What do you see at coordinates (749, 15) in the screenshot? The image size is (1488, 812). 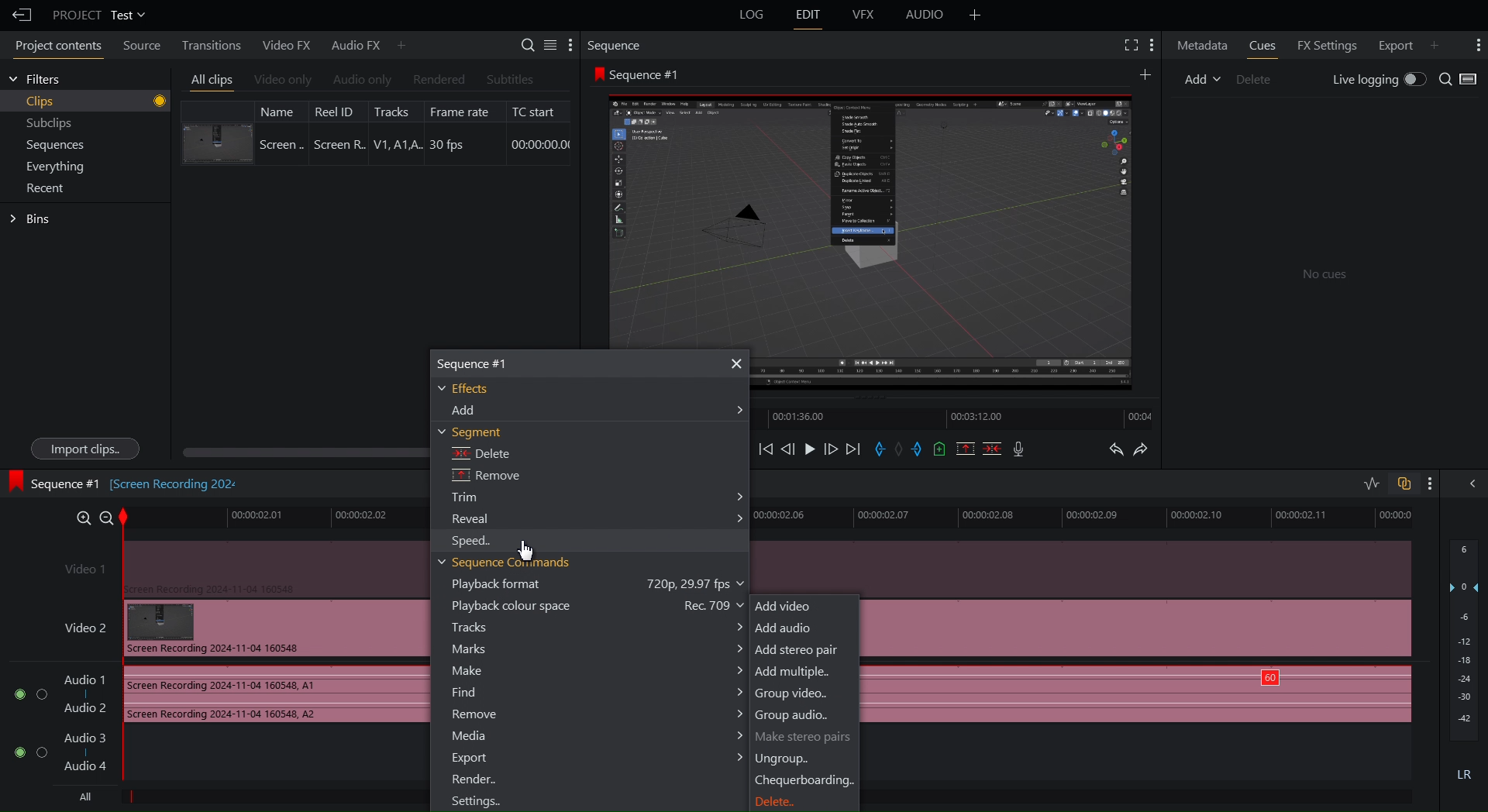 I see `Log ` at bounding box center [749, 15].